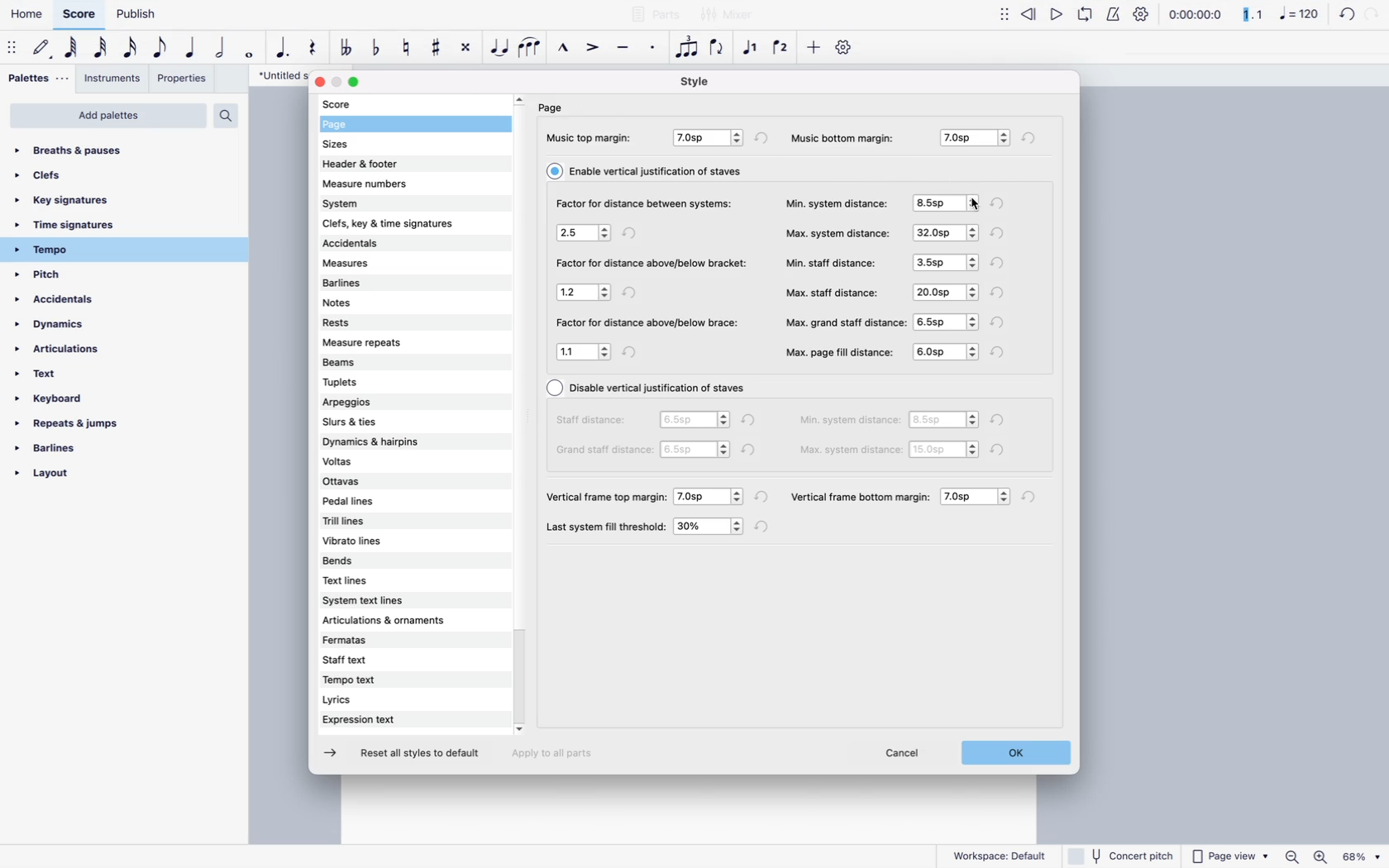 The height and width of the screenshot is (868, 1389). Describe the element at coordinates (225, 115) in the screenshot. I see `search` at that location.